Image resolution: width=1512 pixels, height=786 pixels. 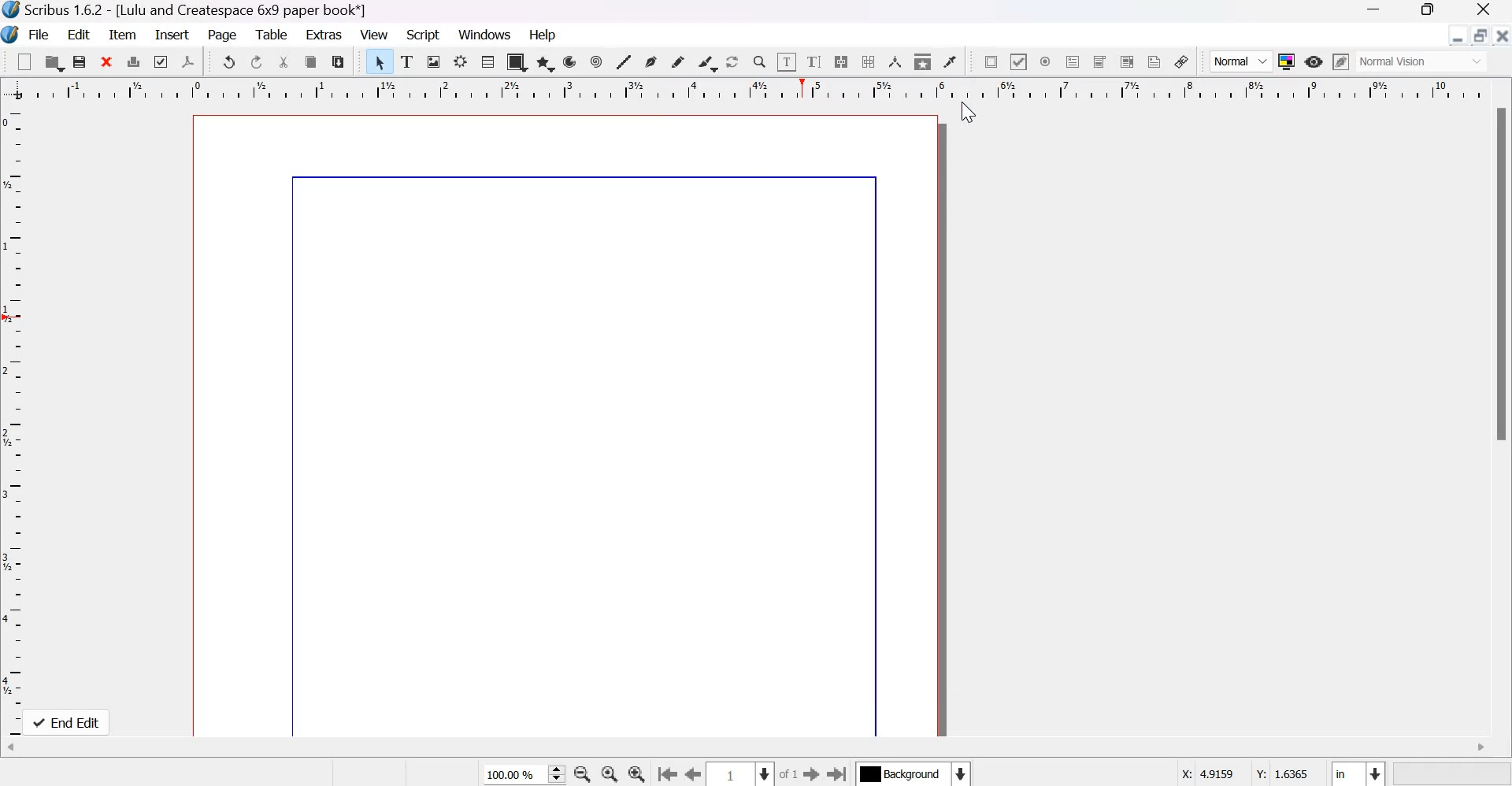 What do you see at coordinates (323, 35) in the screenshot?
I see `Extras` at bounding box center [323, 35].